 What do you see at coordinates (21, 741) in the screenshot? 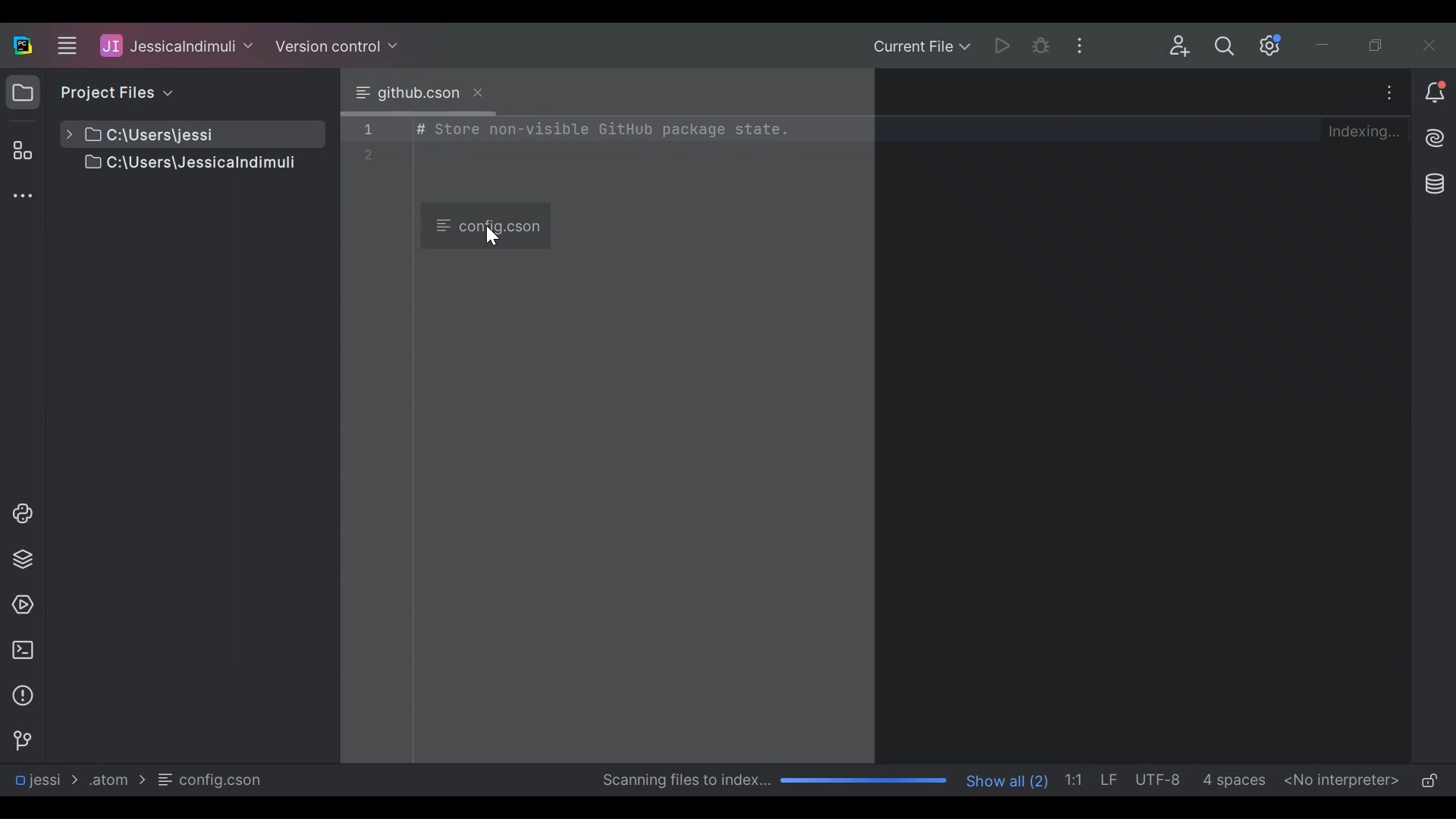
I see `Navigation` at bounding box center [21, 741].